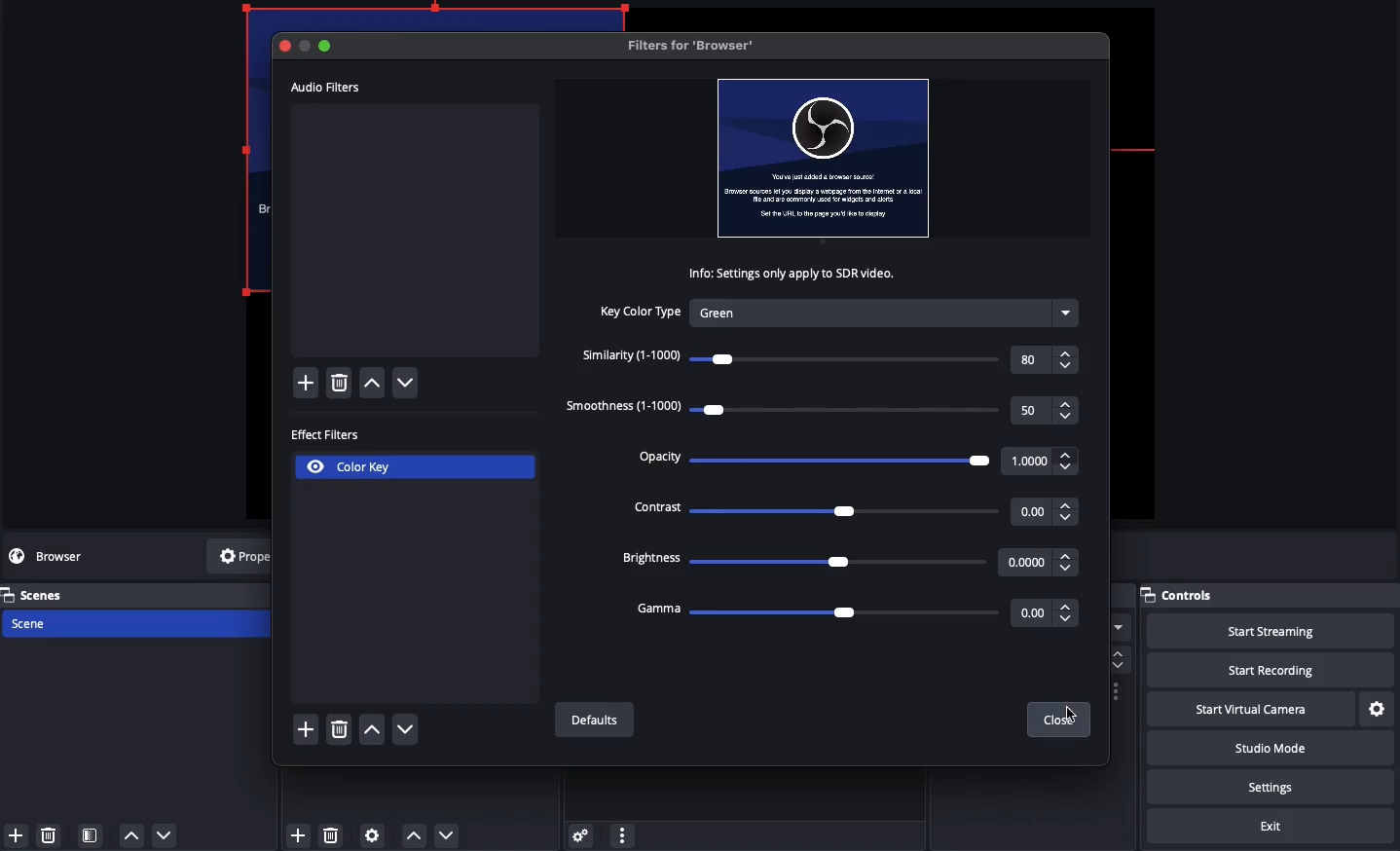 This screenshot has height=851, width=1400. I want to click on delete, so click(52, 836).